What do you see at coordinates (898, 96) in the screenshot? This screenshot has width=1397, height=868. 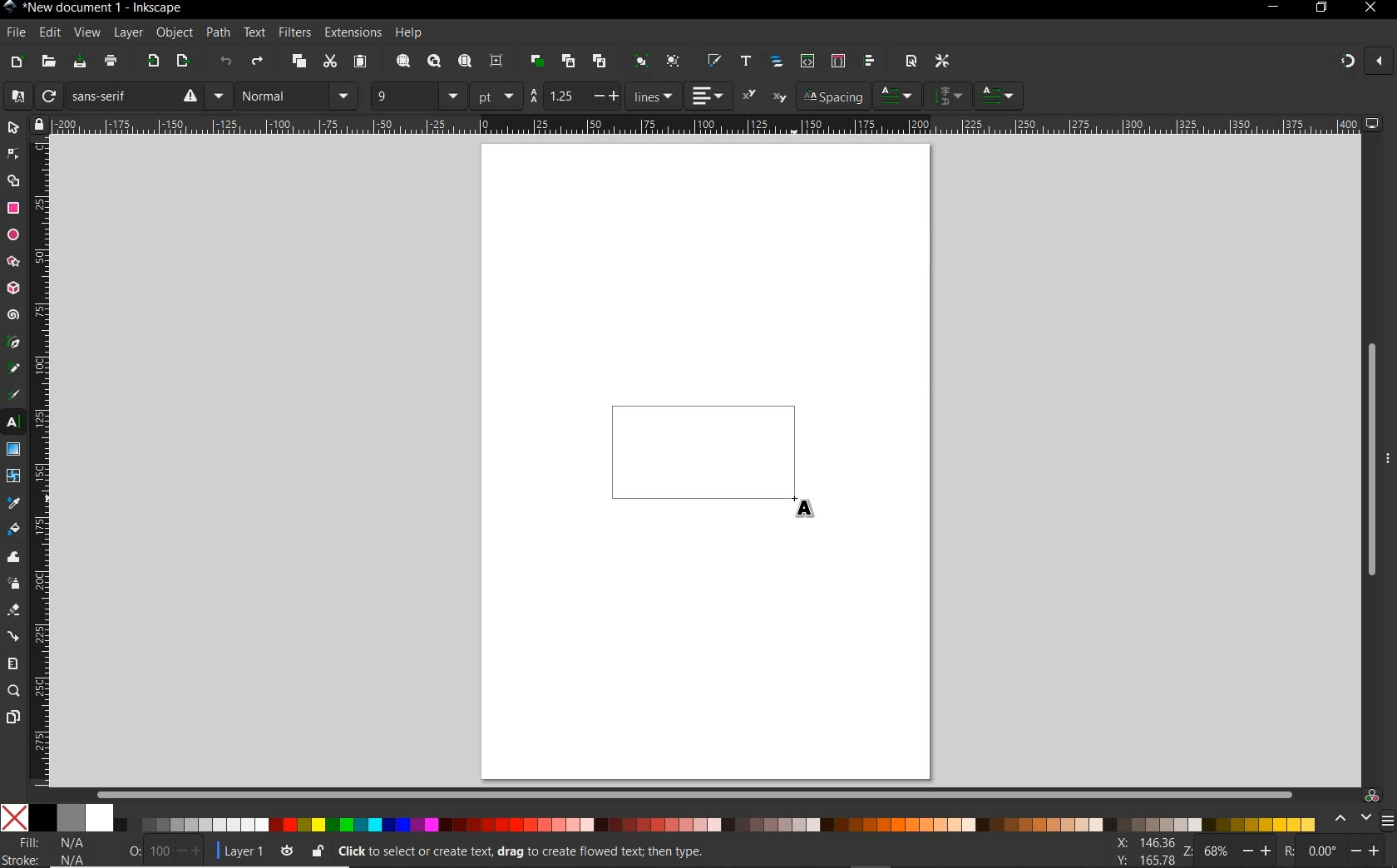 I see `Paragraph styles` at bounding box center [898, 96].